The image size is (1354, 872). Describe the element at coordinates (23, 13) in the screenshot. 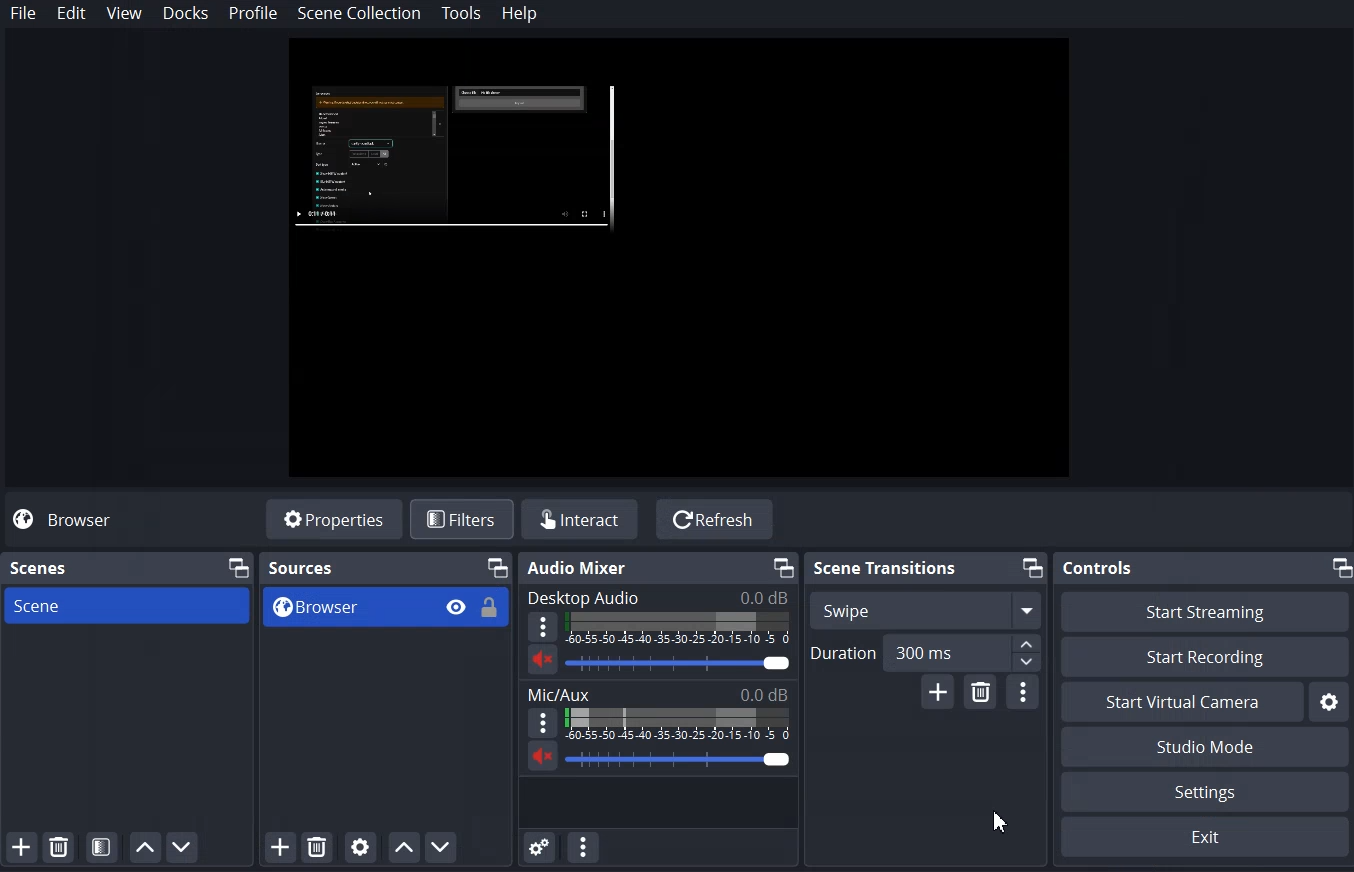

I see `File` at that location.